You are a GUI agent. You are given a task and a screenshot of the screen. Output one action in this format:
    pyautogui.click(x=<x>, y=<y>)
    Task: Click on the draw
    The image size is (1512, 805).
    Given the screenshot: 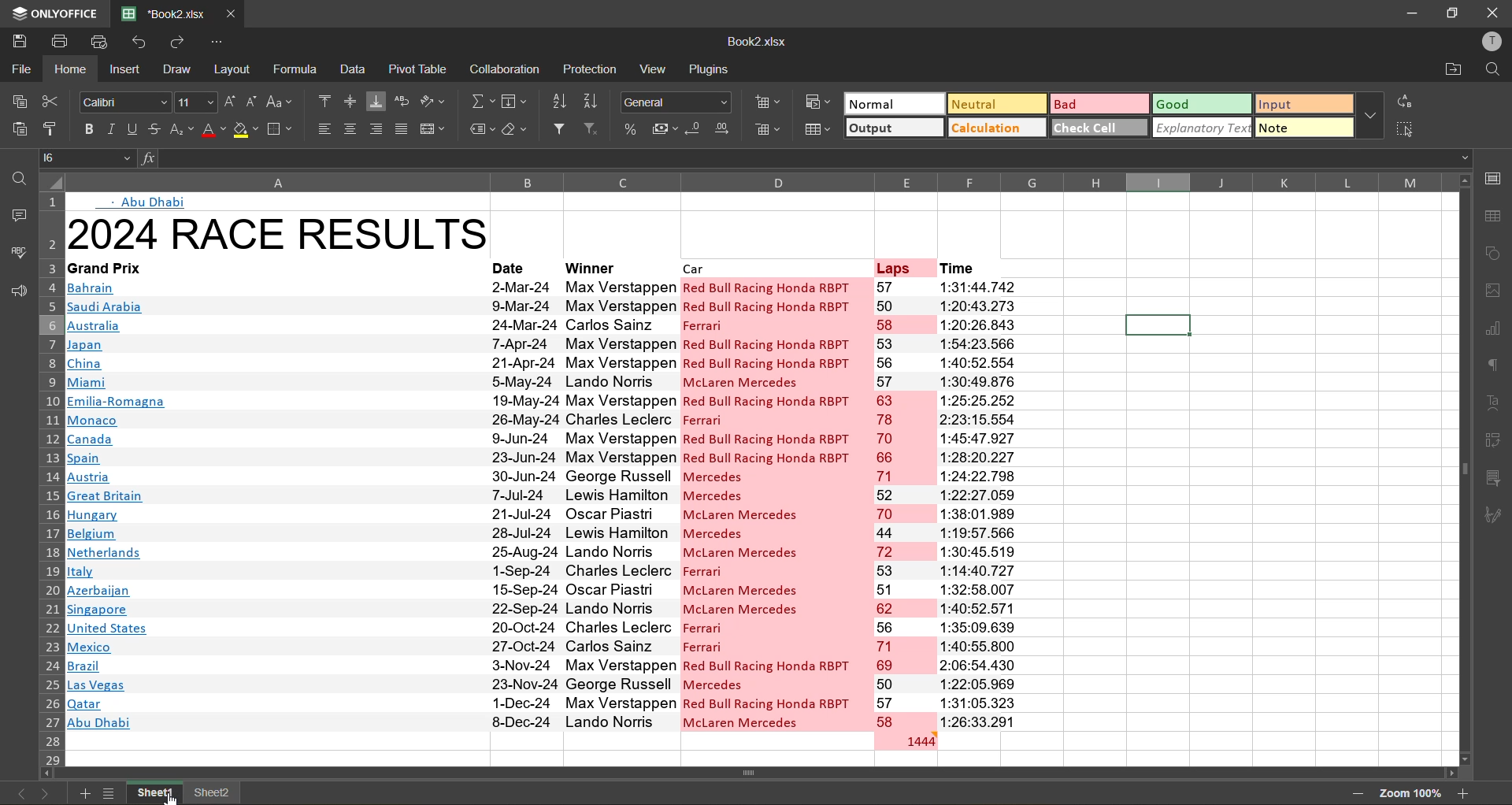 What is the action you would take?
    pyautogui.click(x=180, y=69)
    